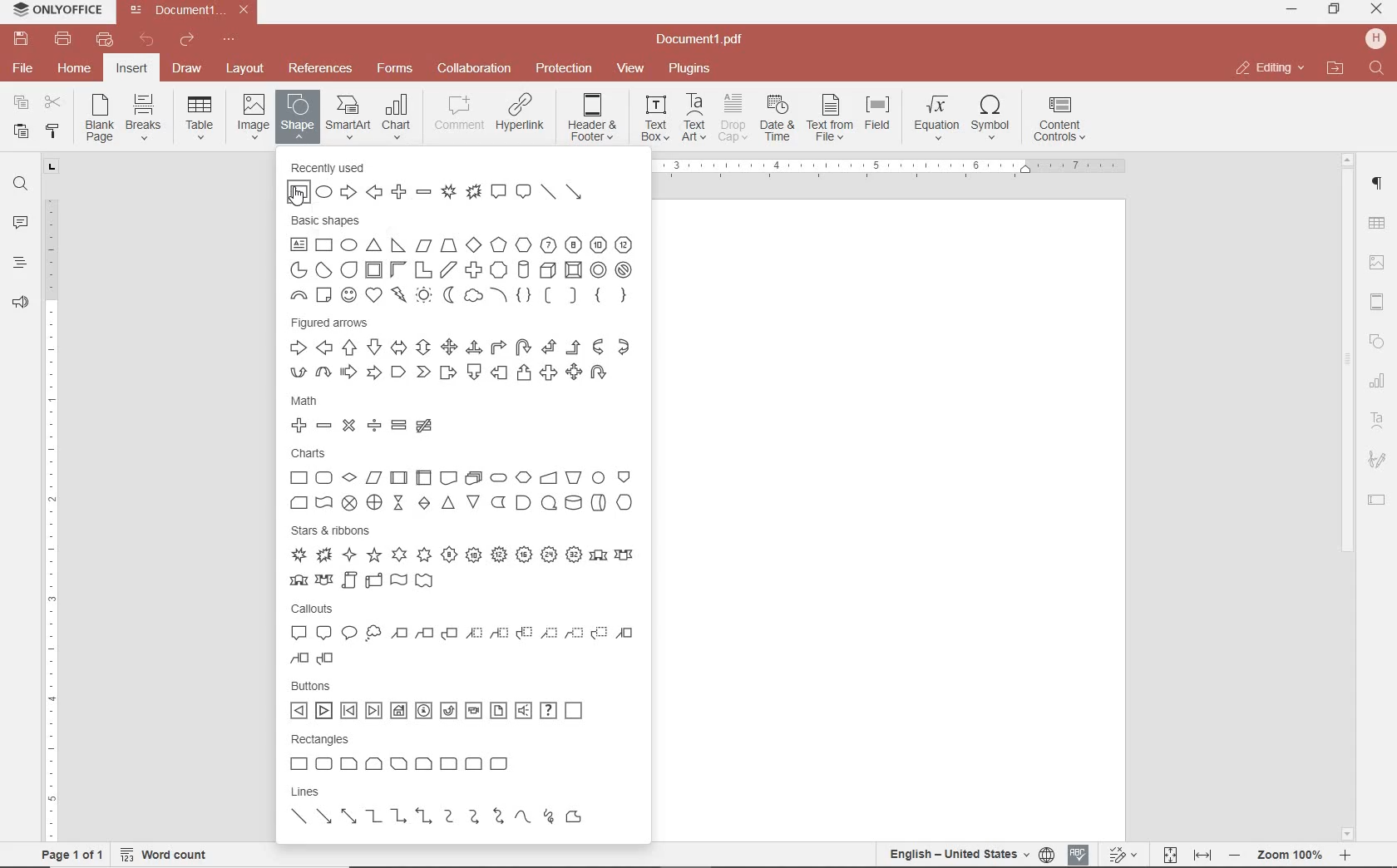 The height and width of the screenshot is (868, 1397). Describe the element at coordinates (1377, 225) in the screenshot. I see `TABLE` at that location.